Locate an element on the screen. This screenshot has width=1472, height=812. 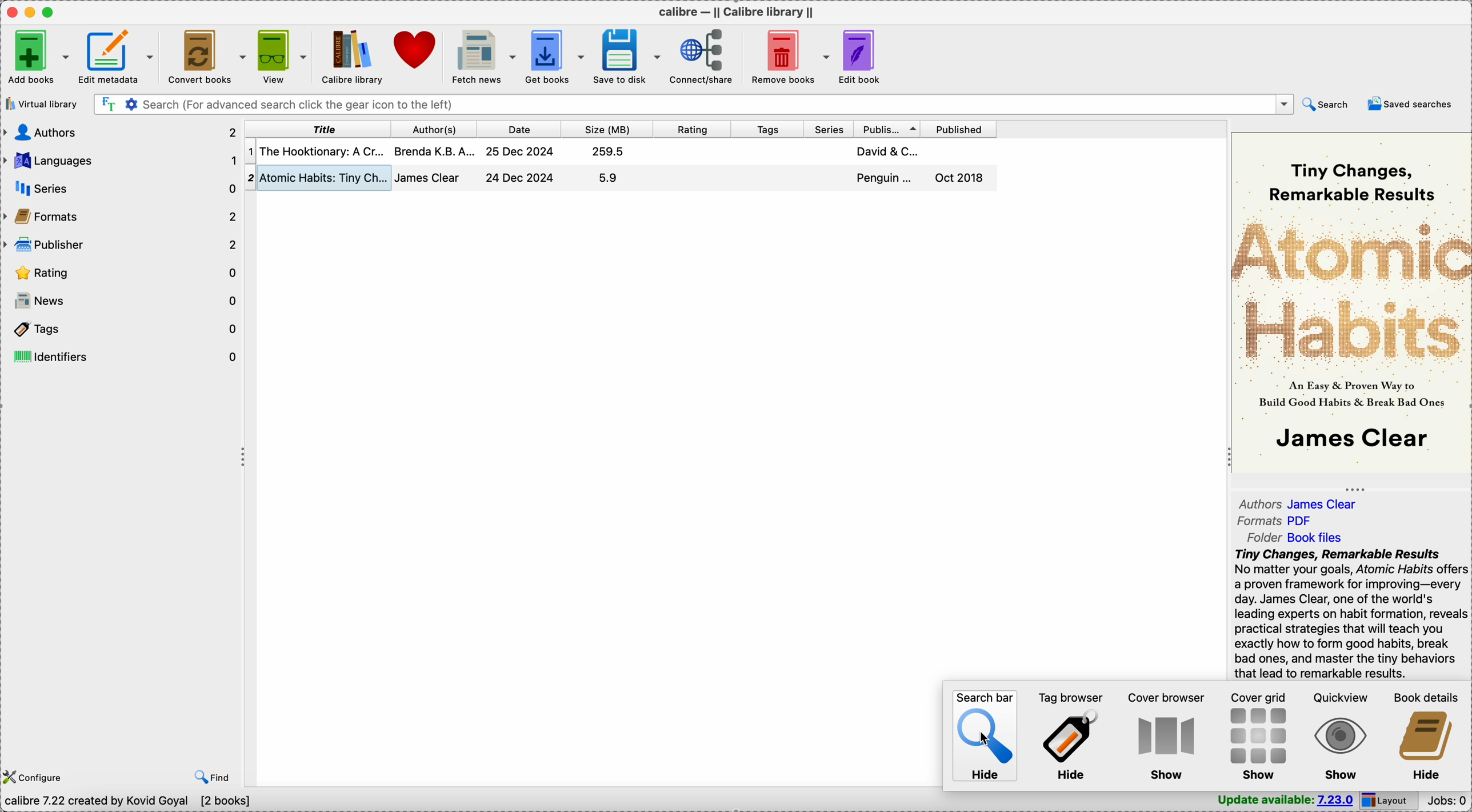
search the text of all books in the library is located at coordinates (108, 105).